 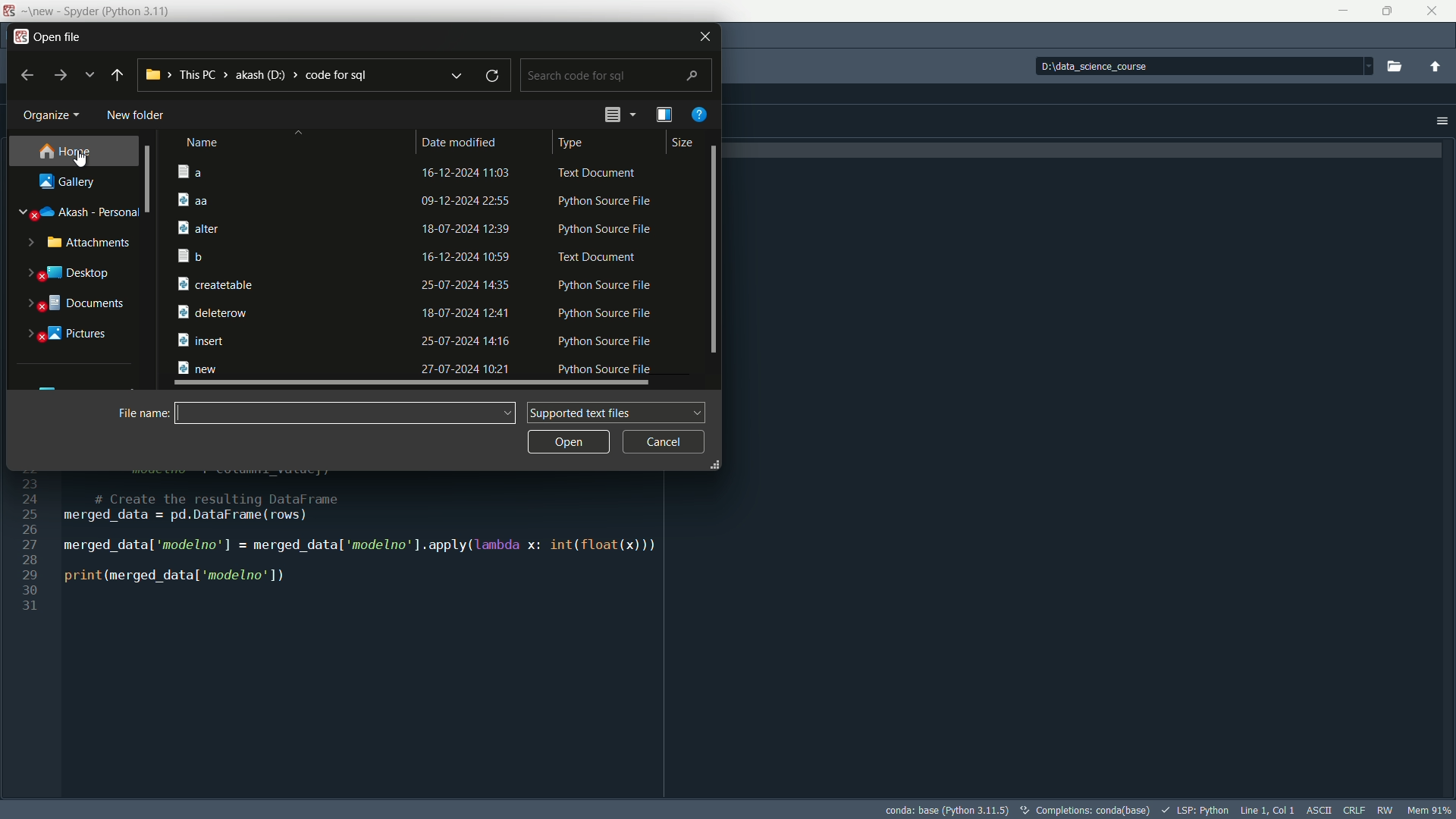 I want to click on change view, so click(x=612, y=115).